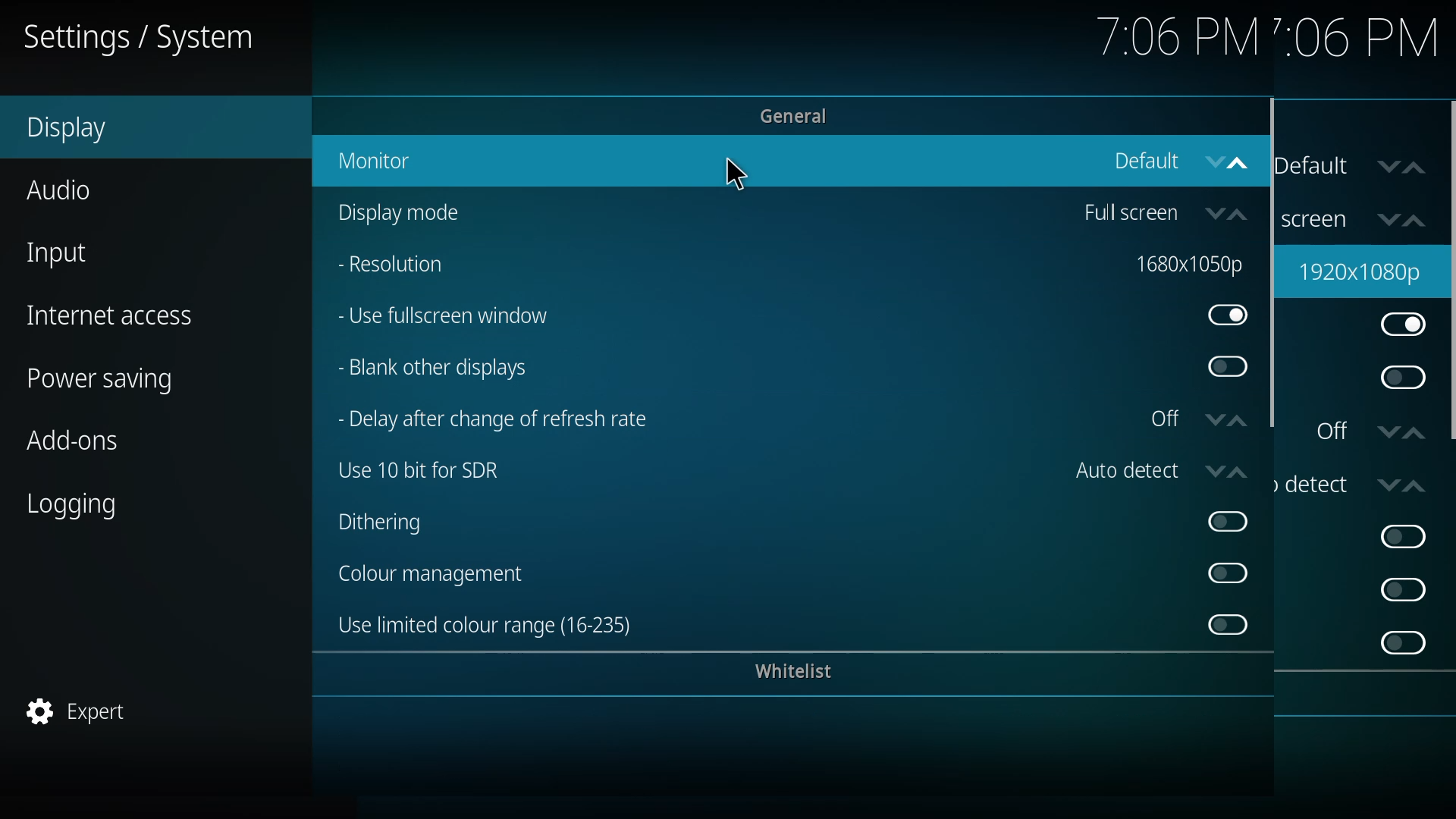 The height and width of the screenshot is (819, 1456). I want to click on resolution changed, so click(1186, 262).